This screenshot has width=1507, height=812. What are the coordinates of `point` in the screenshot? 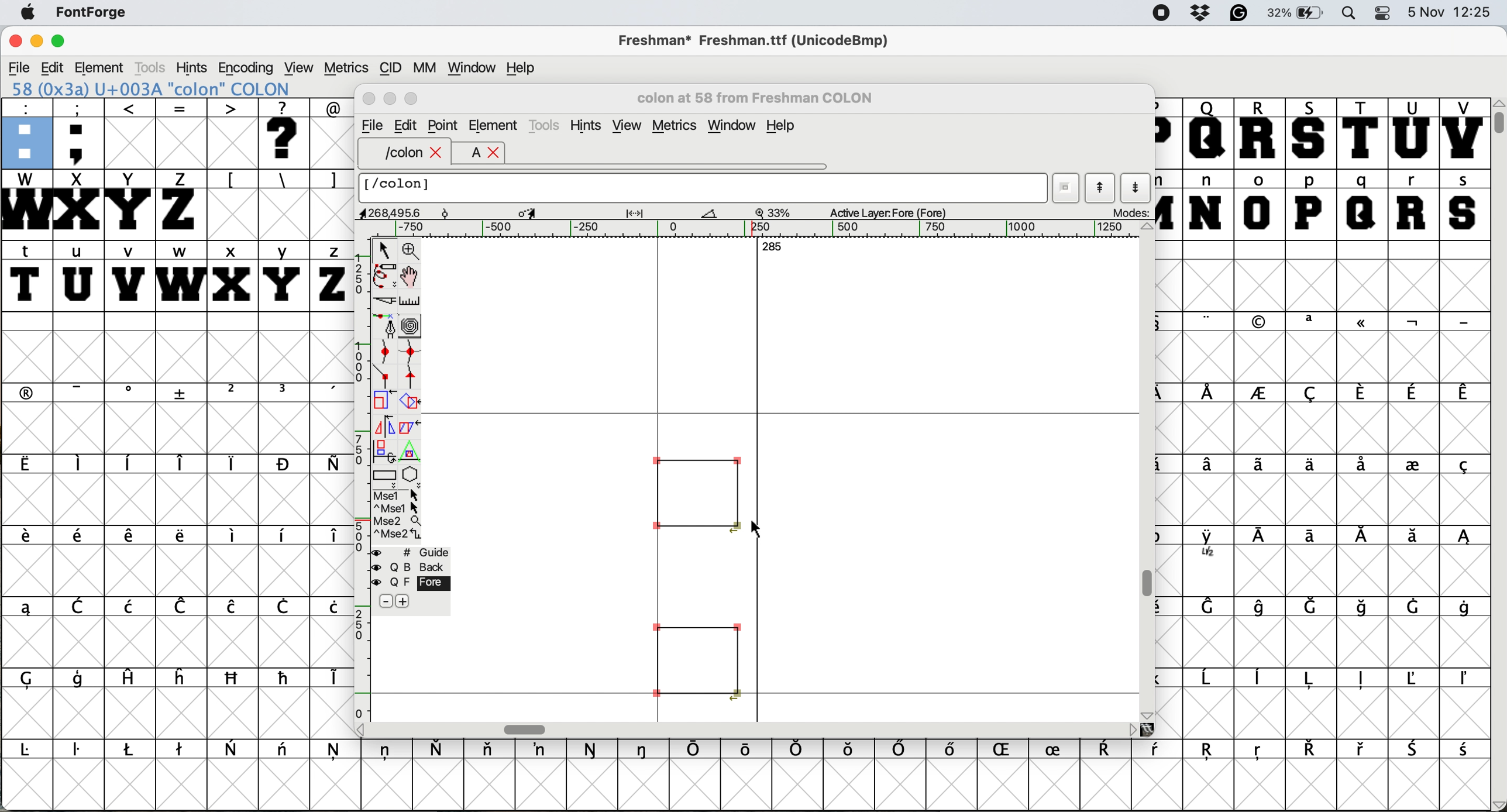 It's located at (444, 124).